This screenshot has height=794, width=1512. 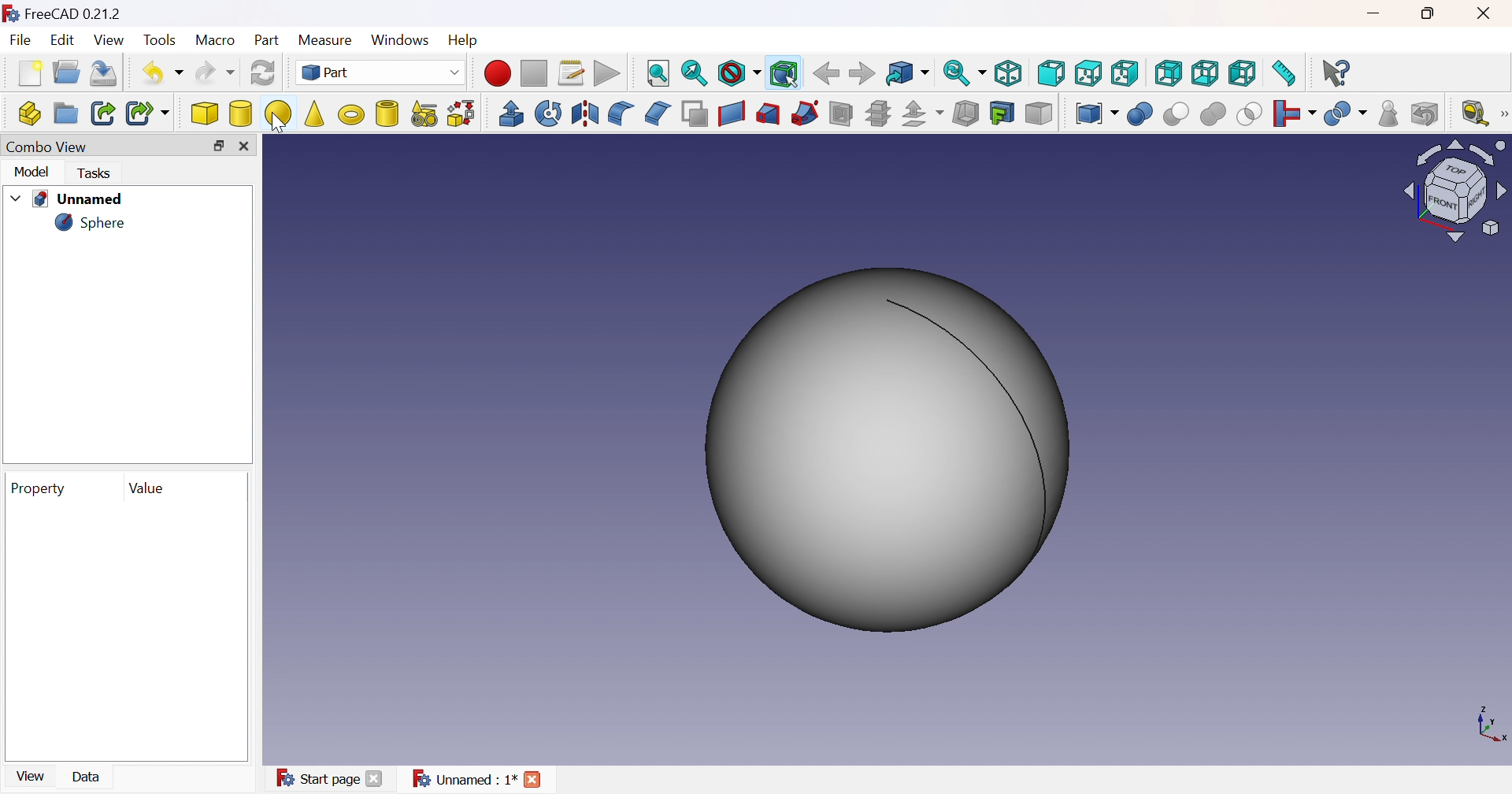 I want to click on Draw style, so click(x=738, y=74).